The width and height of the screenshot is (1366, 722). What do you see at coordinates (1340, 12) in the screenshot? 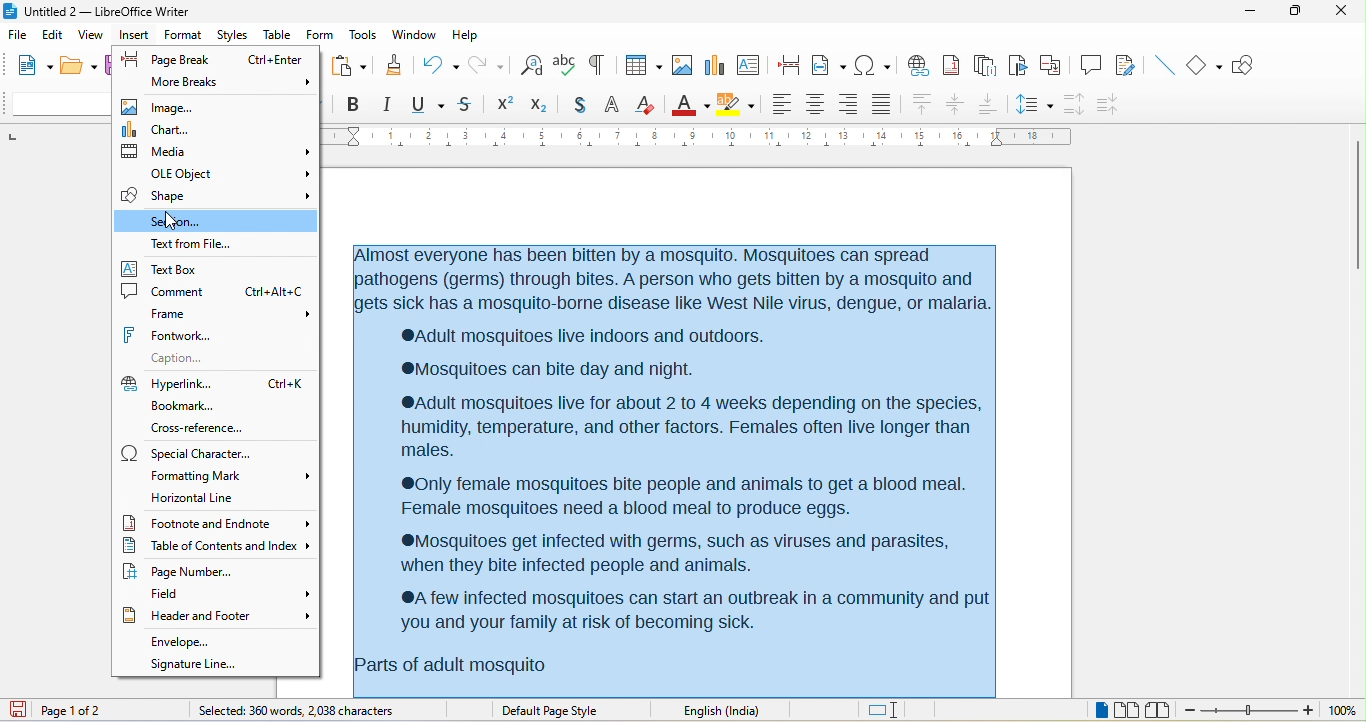
I see `close` at bounding box center [1340, 12].